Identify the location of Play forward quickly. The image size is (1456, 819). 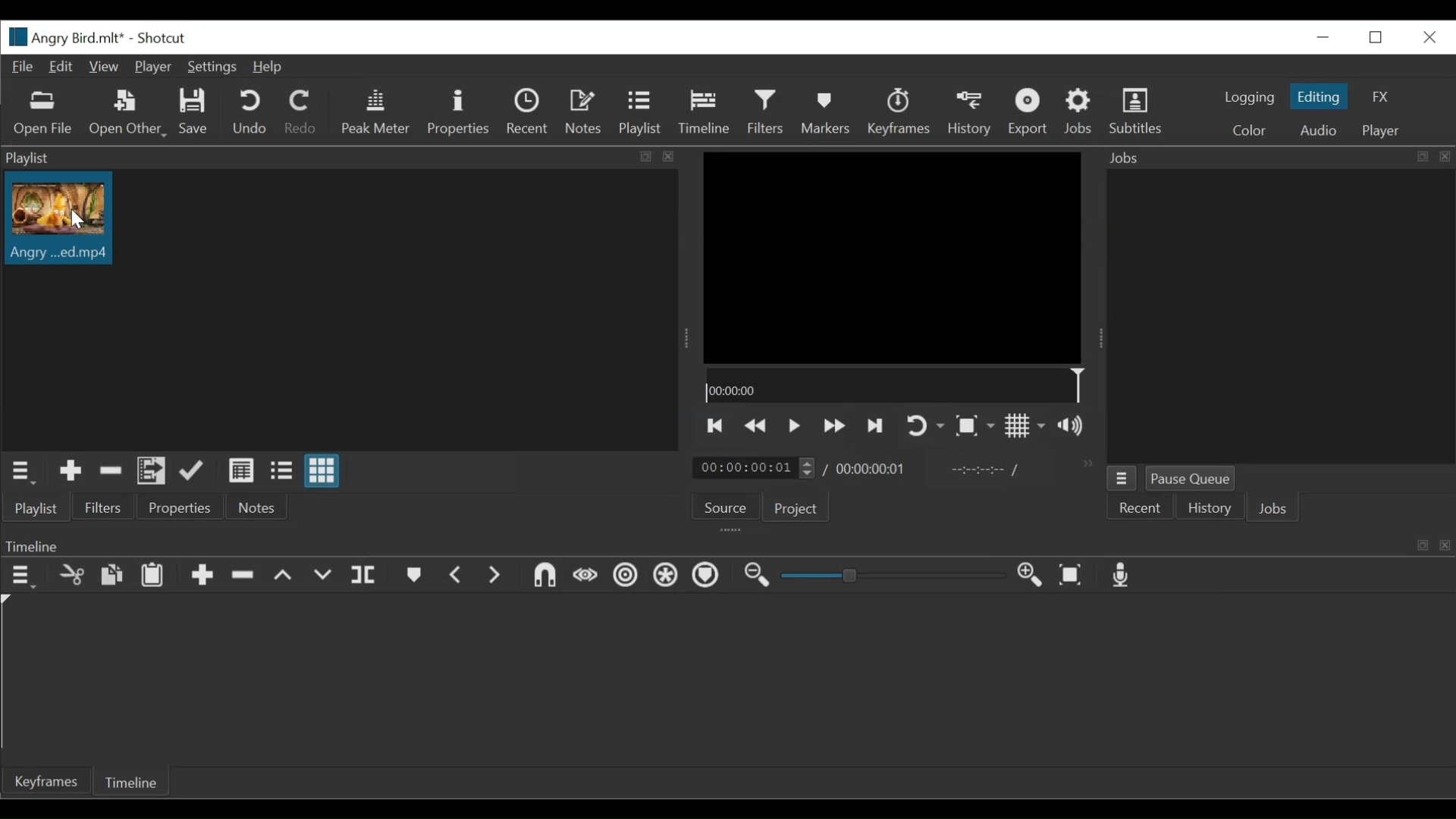
(834, 425).